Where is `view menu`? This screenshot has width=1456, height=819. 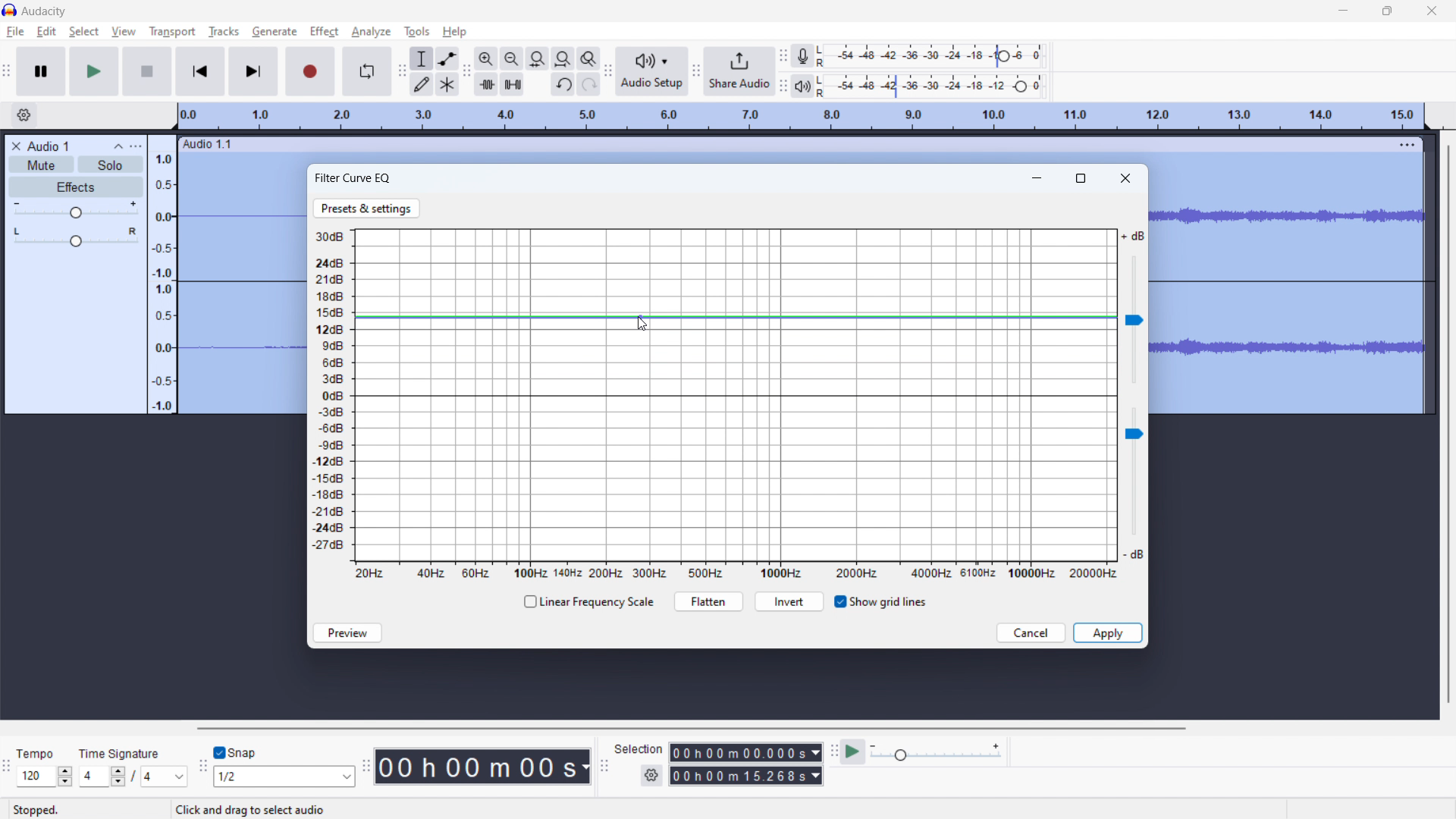 view menu is located at coordinates (136, 146).